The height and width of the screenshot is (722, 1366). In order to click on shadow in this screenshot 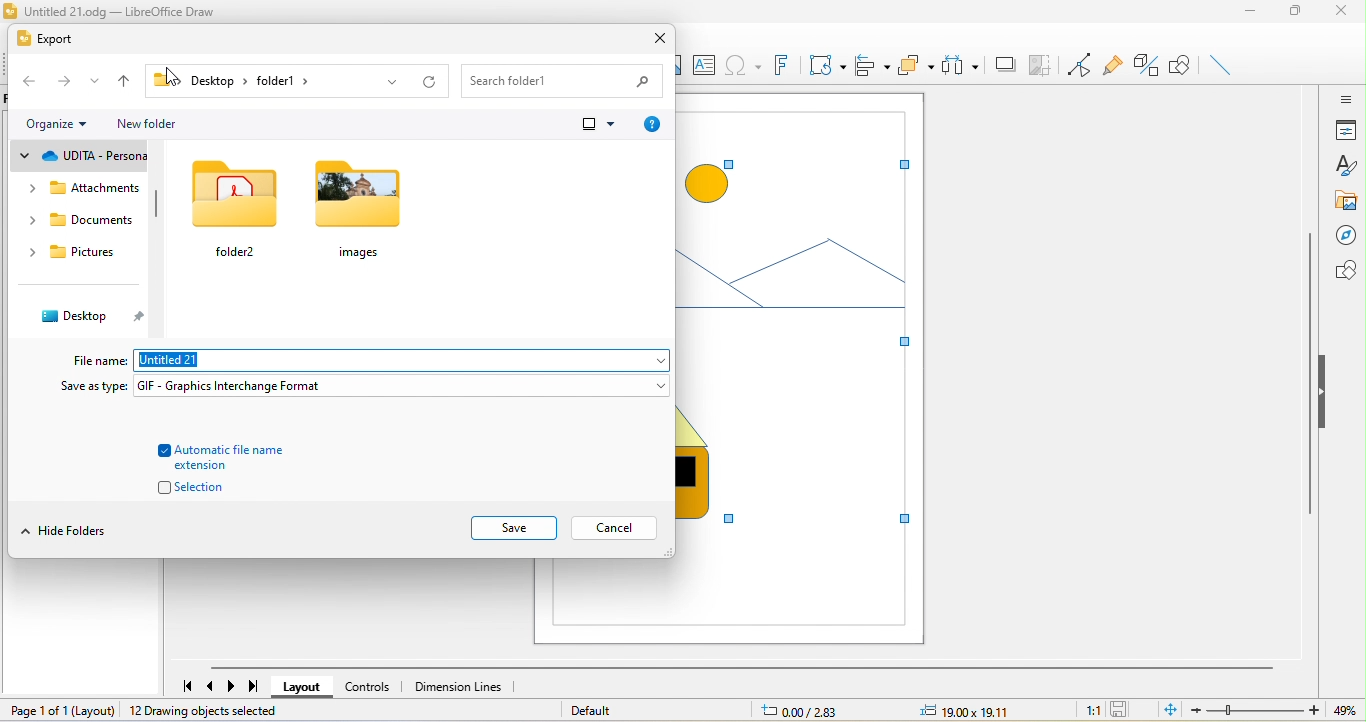, I will do `click(1005, 65)`.